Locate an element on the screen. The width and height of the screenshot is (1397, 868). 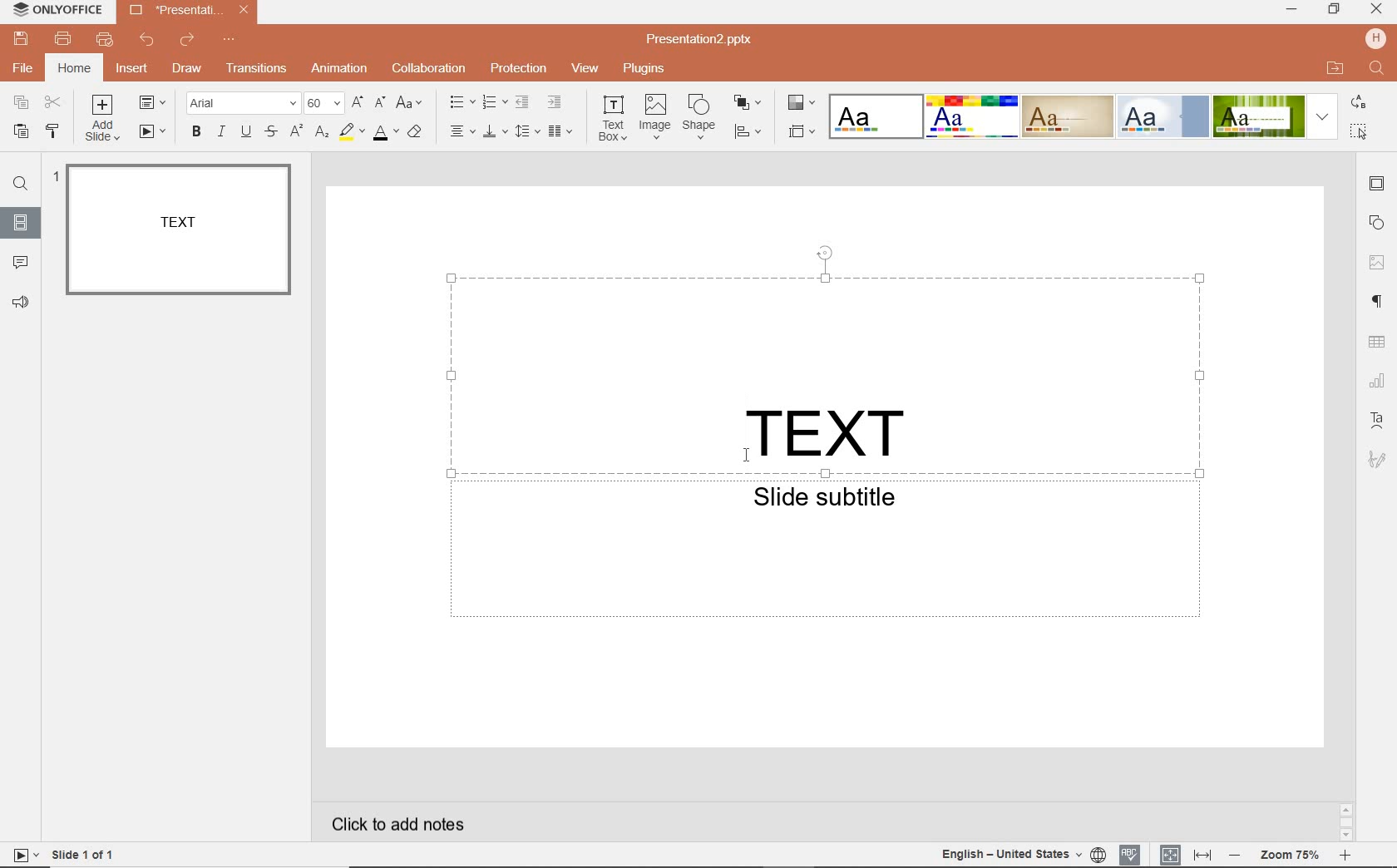
SLIDE SETTINGS is located at coordinates (1379, 184).